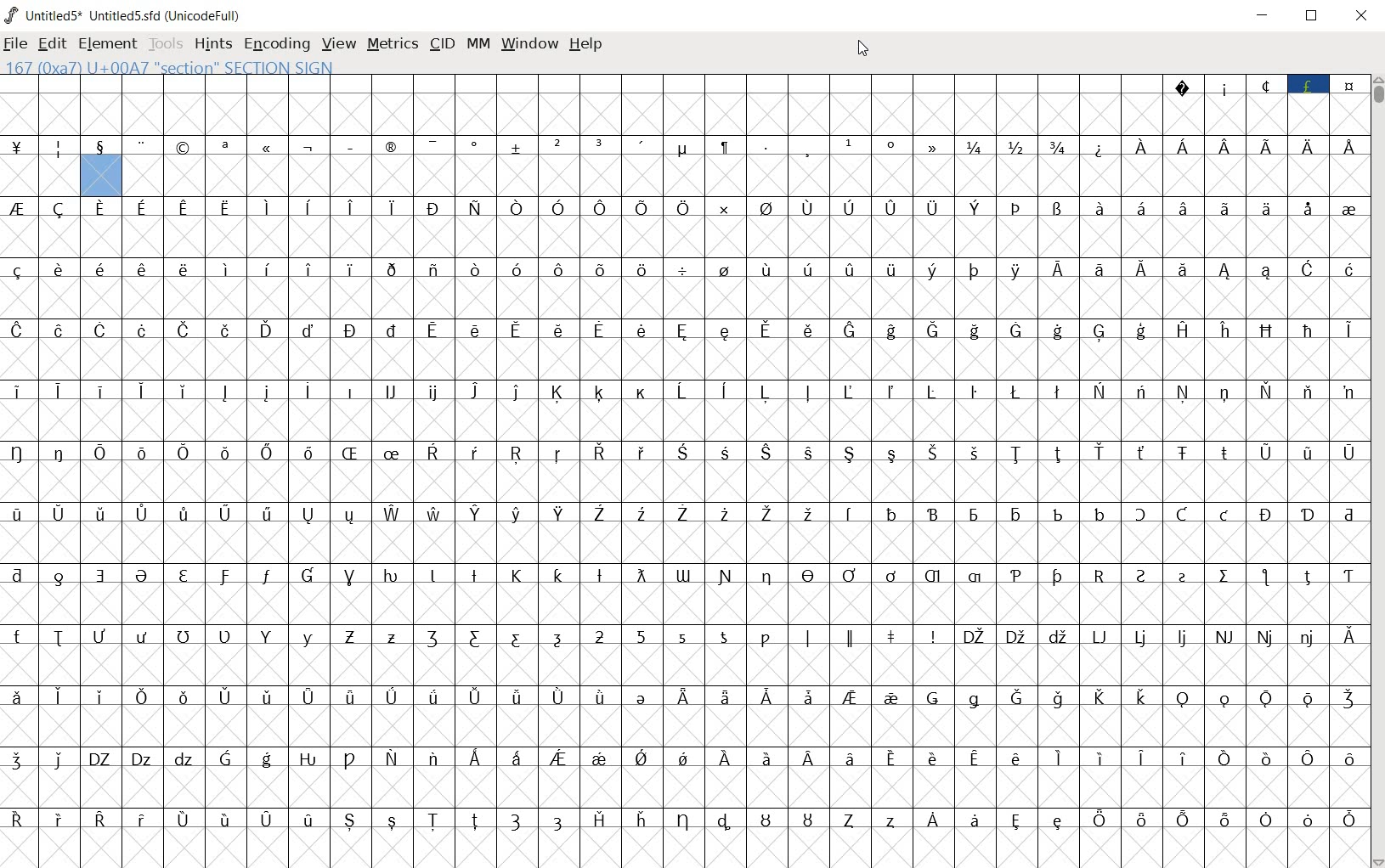  What do you see at coordinates (1241, 146) in the screenshot?
I see `special letters` at bounding box center [1241, 146].